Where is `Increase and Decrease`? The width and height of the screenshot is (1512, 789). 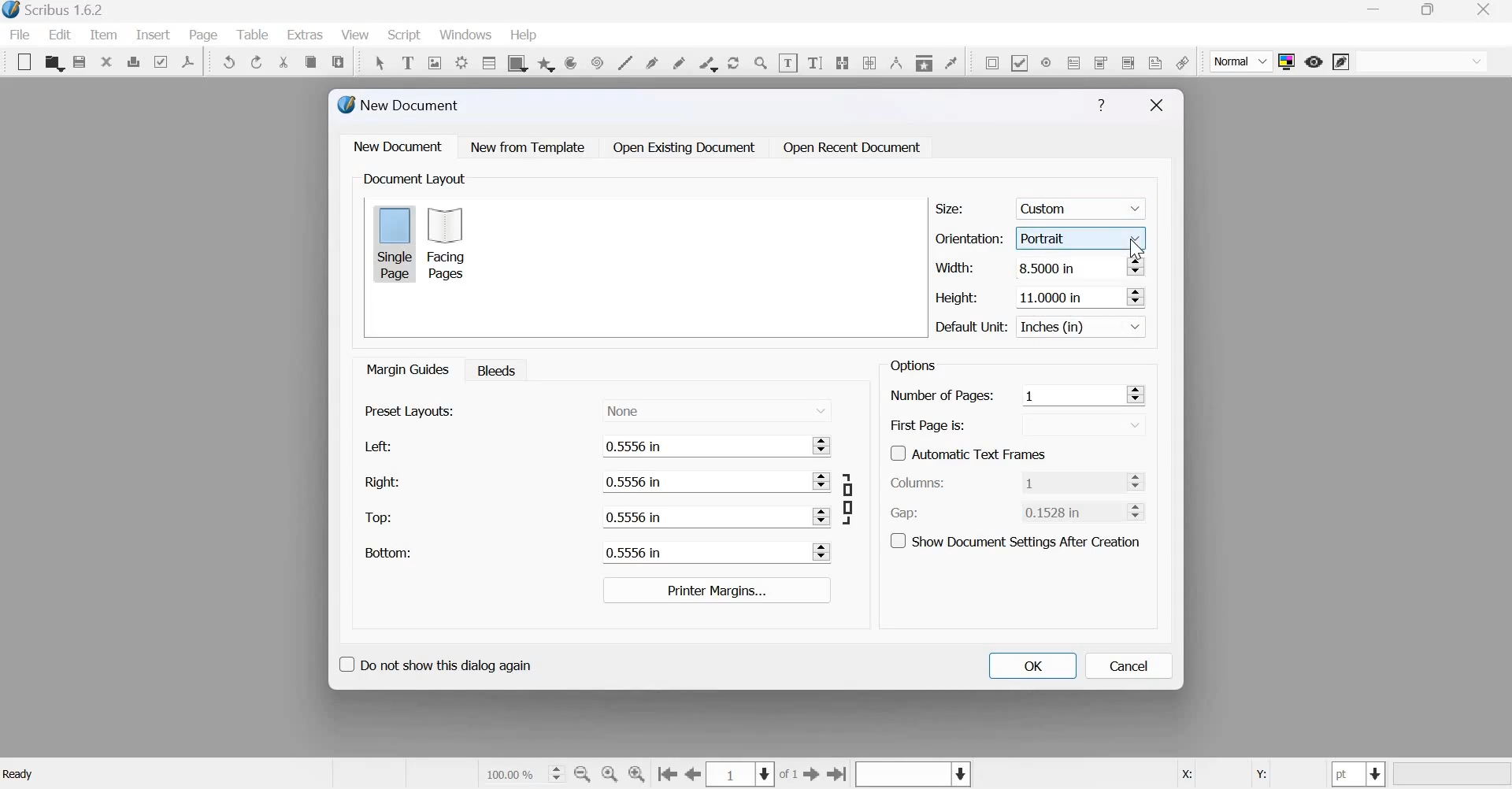 Increase and Decrease is located at coordinates (1140, 481).